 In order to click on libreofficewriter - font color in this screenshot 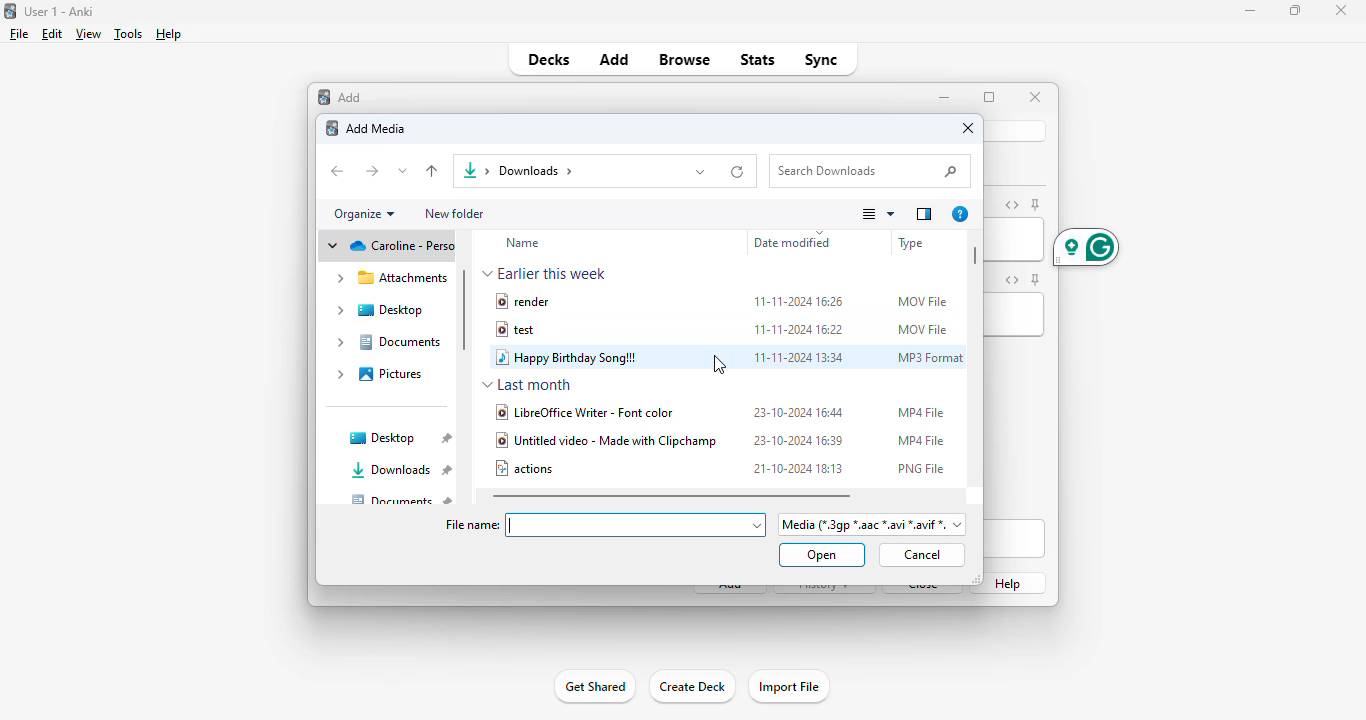, I will do `click(584, 412)`.